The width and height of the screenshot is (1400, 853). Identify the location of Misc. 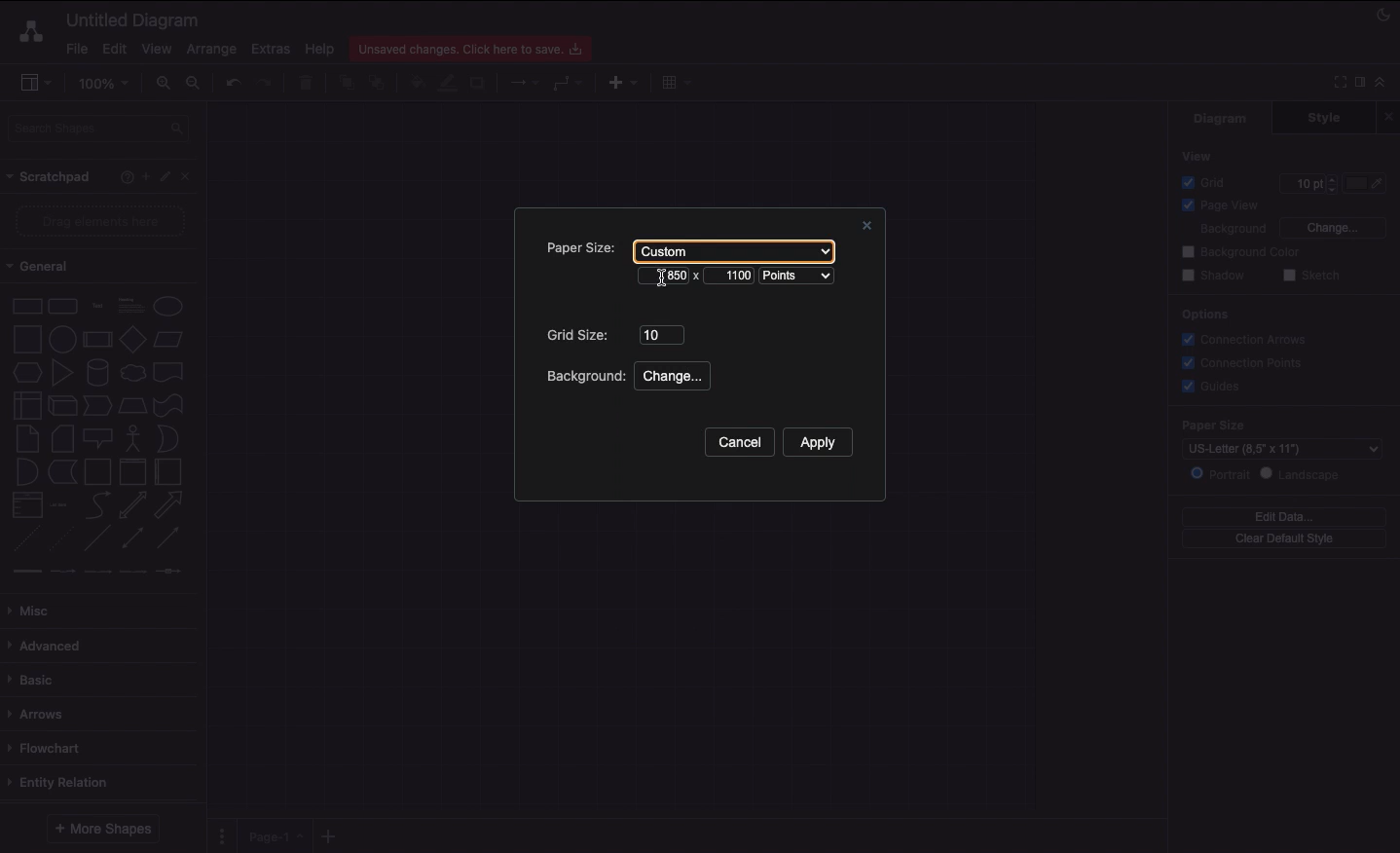
(34, 611).